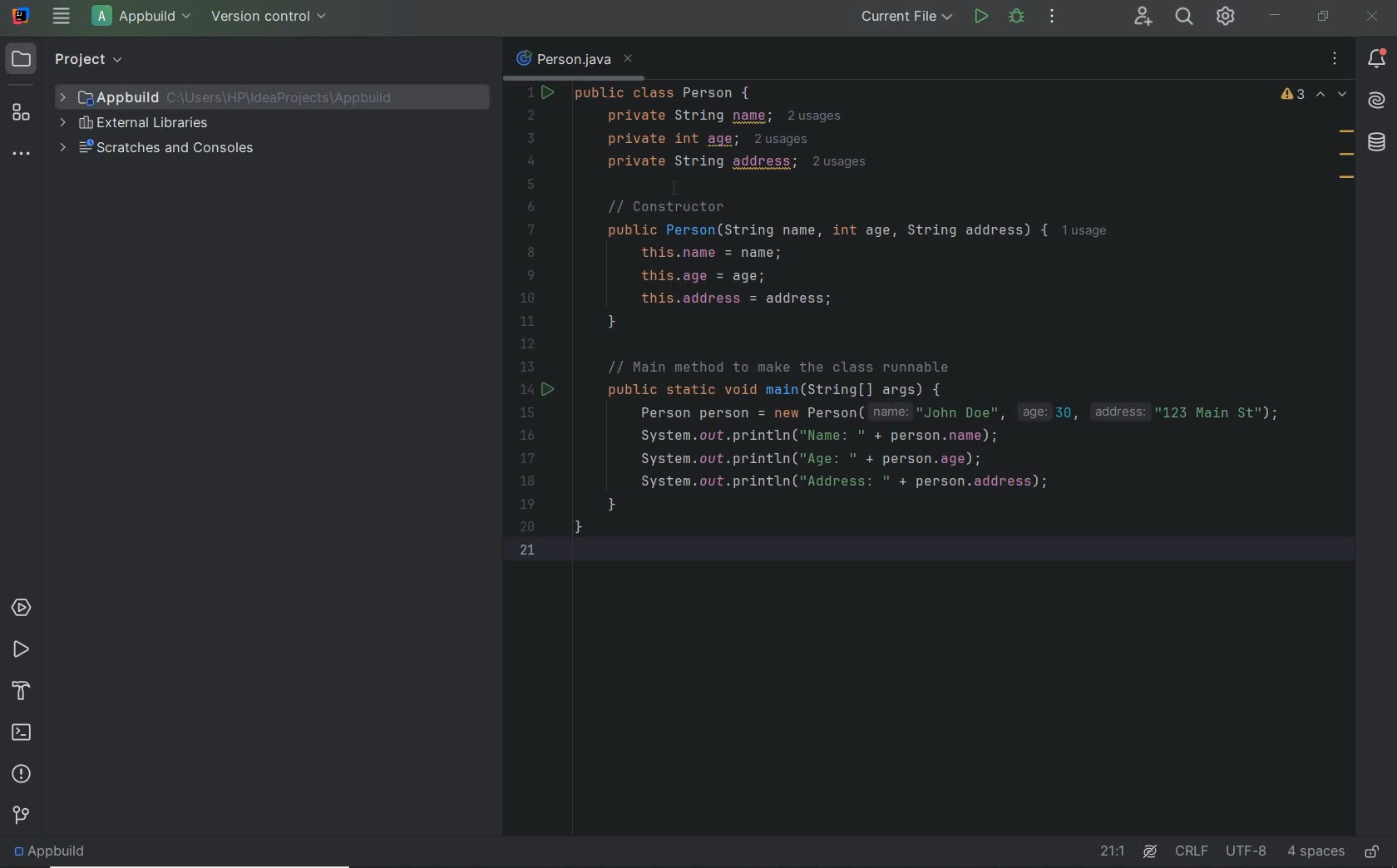 This screenshot has height=868, width=1397. What do you see at coordinates (22, 730) in the screenshot?
I see `terminal` at bounding box center [22, 730].